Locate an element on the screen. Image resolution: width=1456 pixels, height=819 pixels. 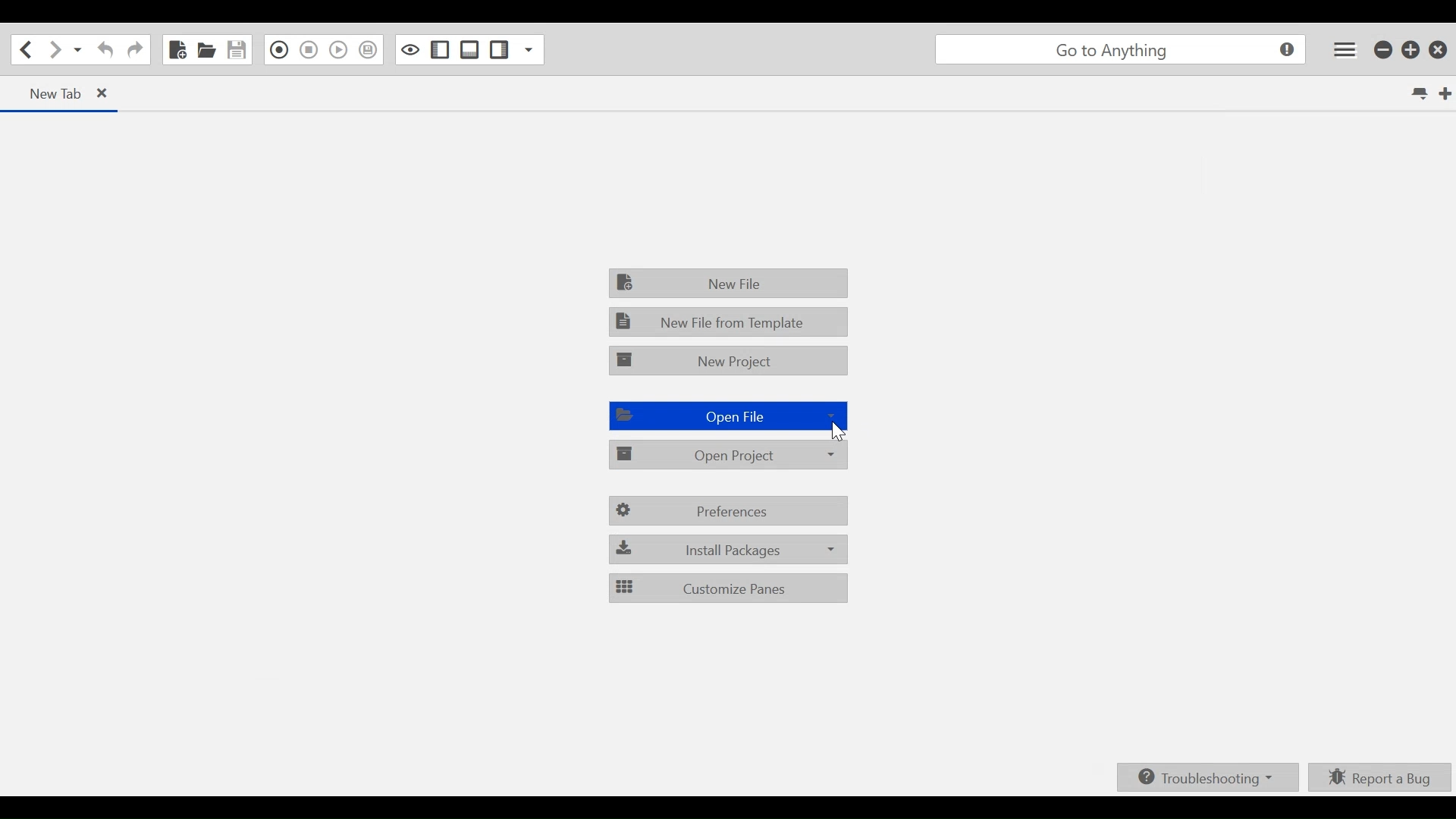
Open Project is located at coordinates (730, 453).